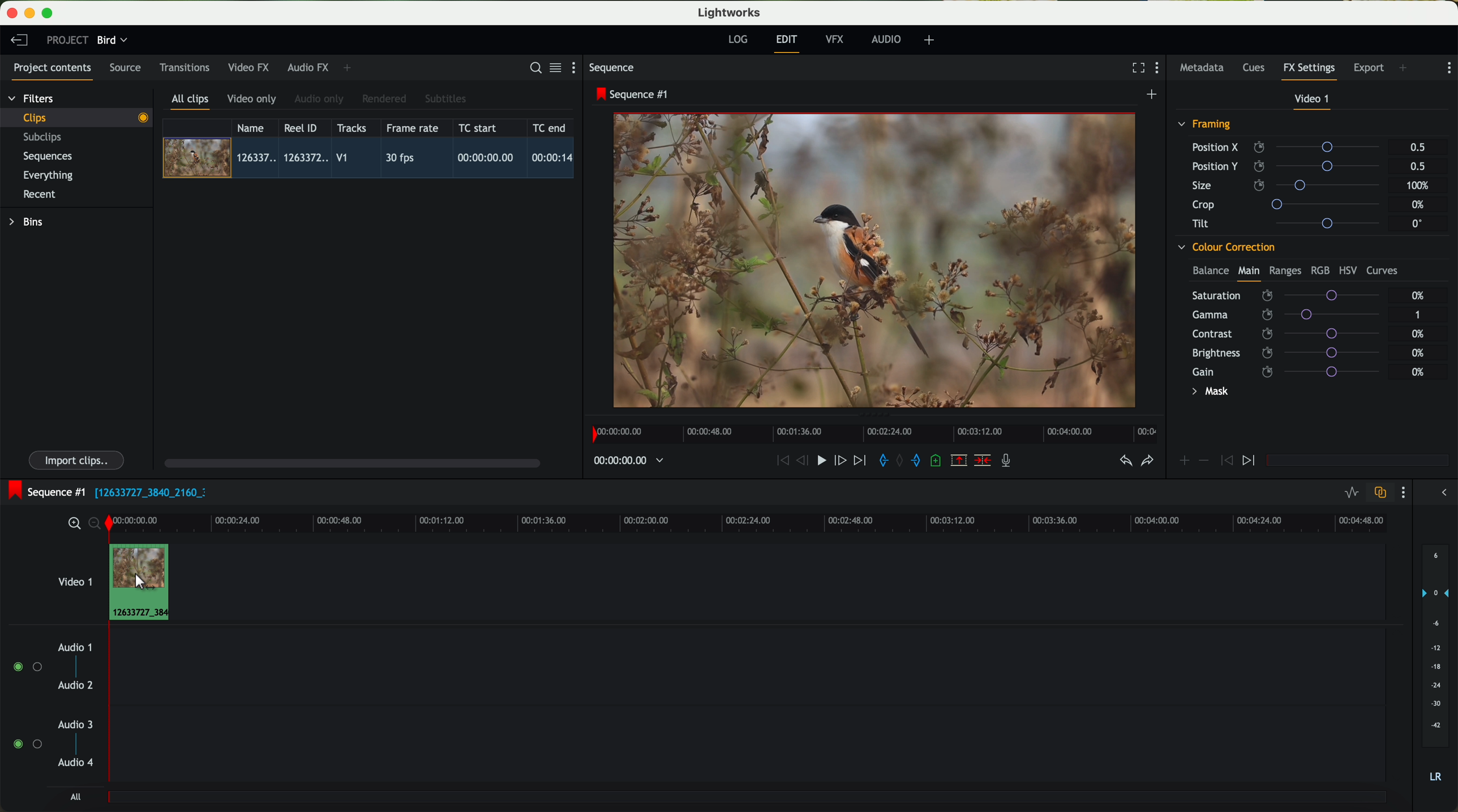  I want to click on icon, so click(1225, 461).